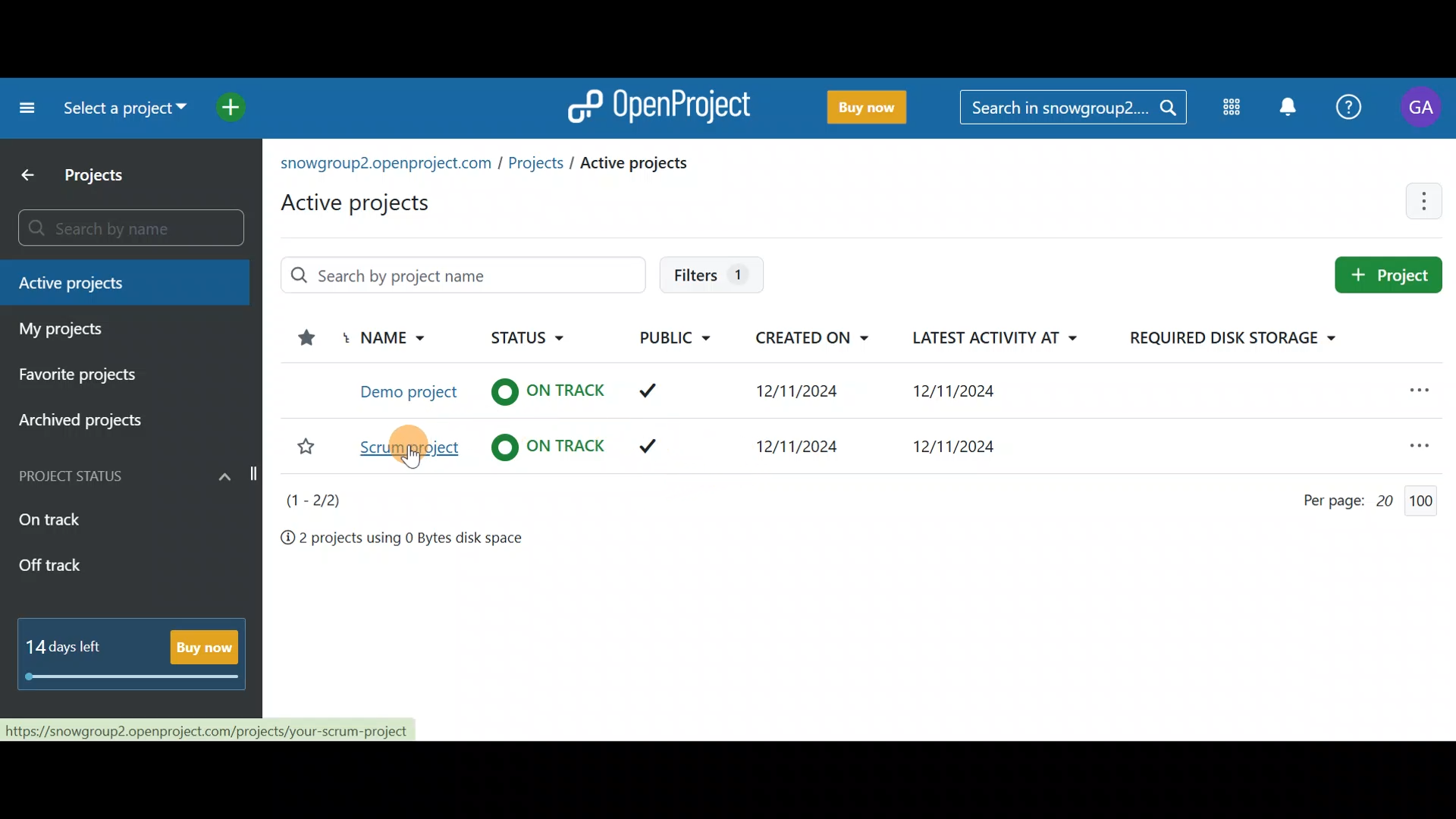  What do you see at coordinates (801, 393) in the screenshot?
I see `created on` at bounding box center [801, 393].